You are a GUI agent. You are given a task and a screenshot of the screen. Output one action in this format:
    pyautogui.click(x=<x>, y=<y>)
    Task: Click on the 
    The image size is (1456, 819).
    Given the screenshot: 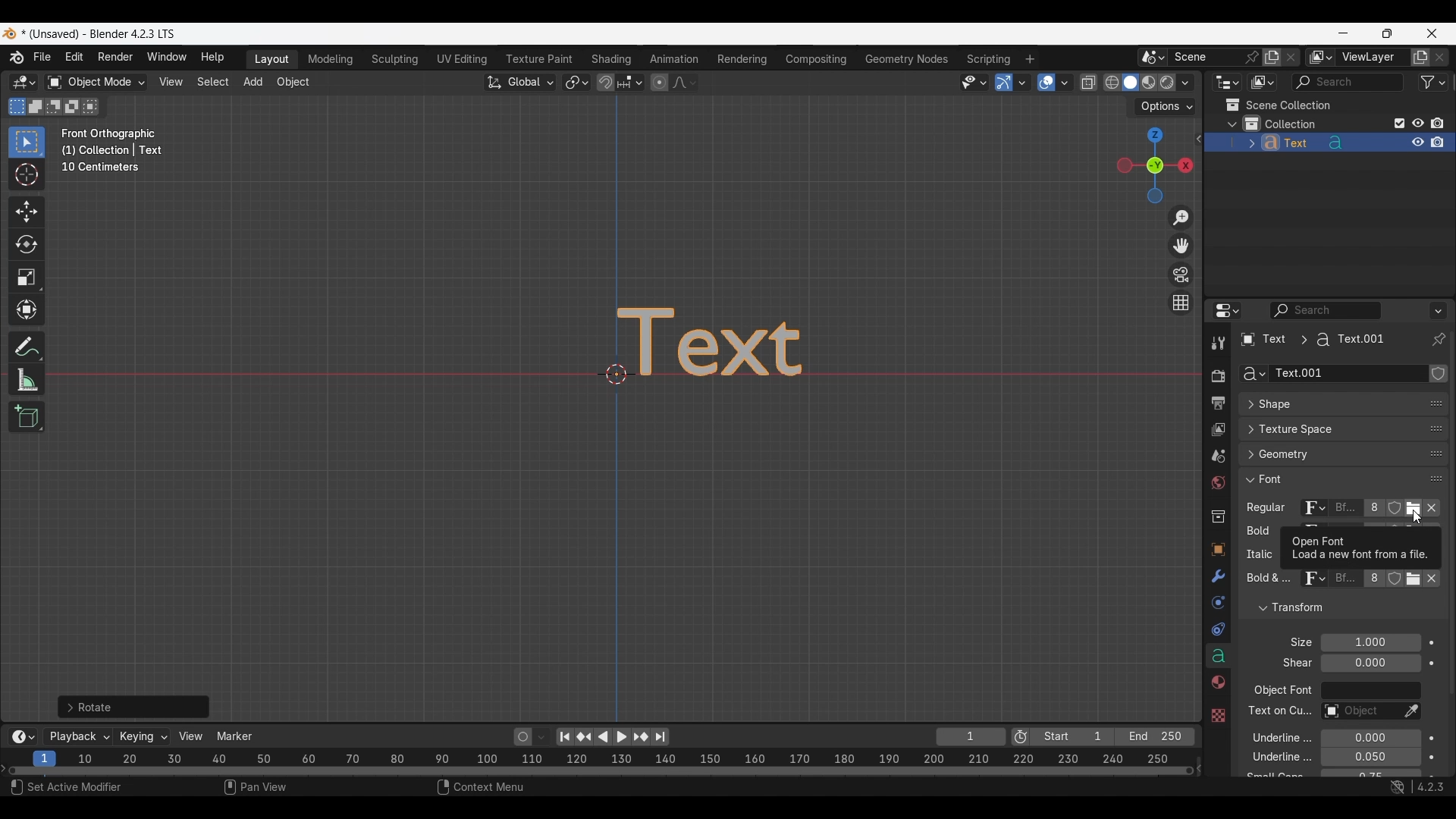 What is the action you would take?
    pyautogui.click(x=1278, y=713)
    